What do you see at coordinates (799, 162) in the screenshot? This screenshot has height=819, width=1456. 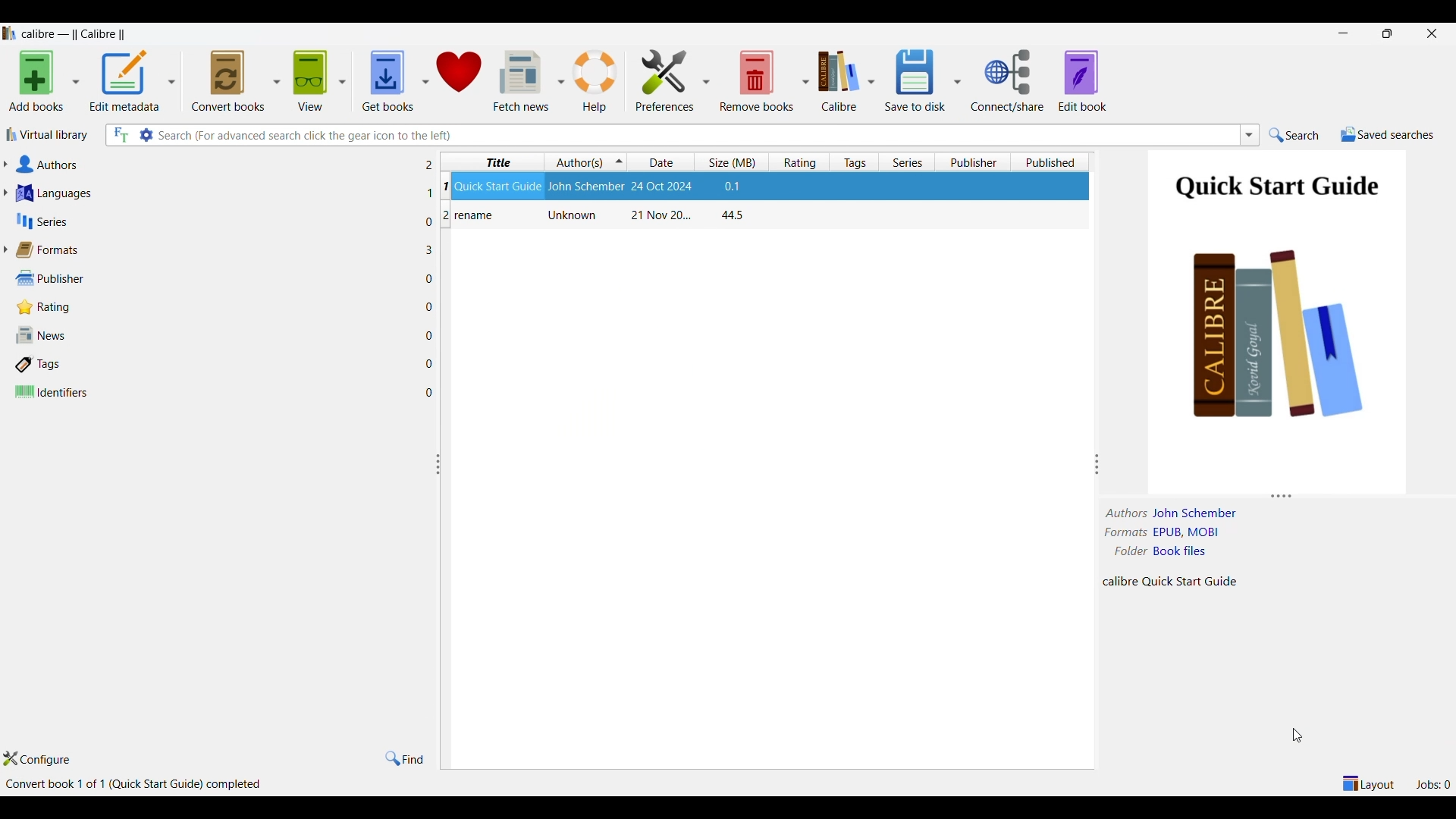 I see `Rating column` at bounding box center [799, 162].